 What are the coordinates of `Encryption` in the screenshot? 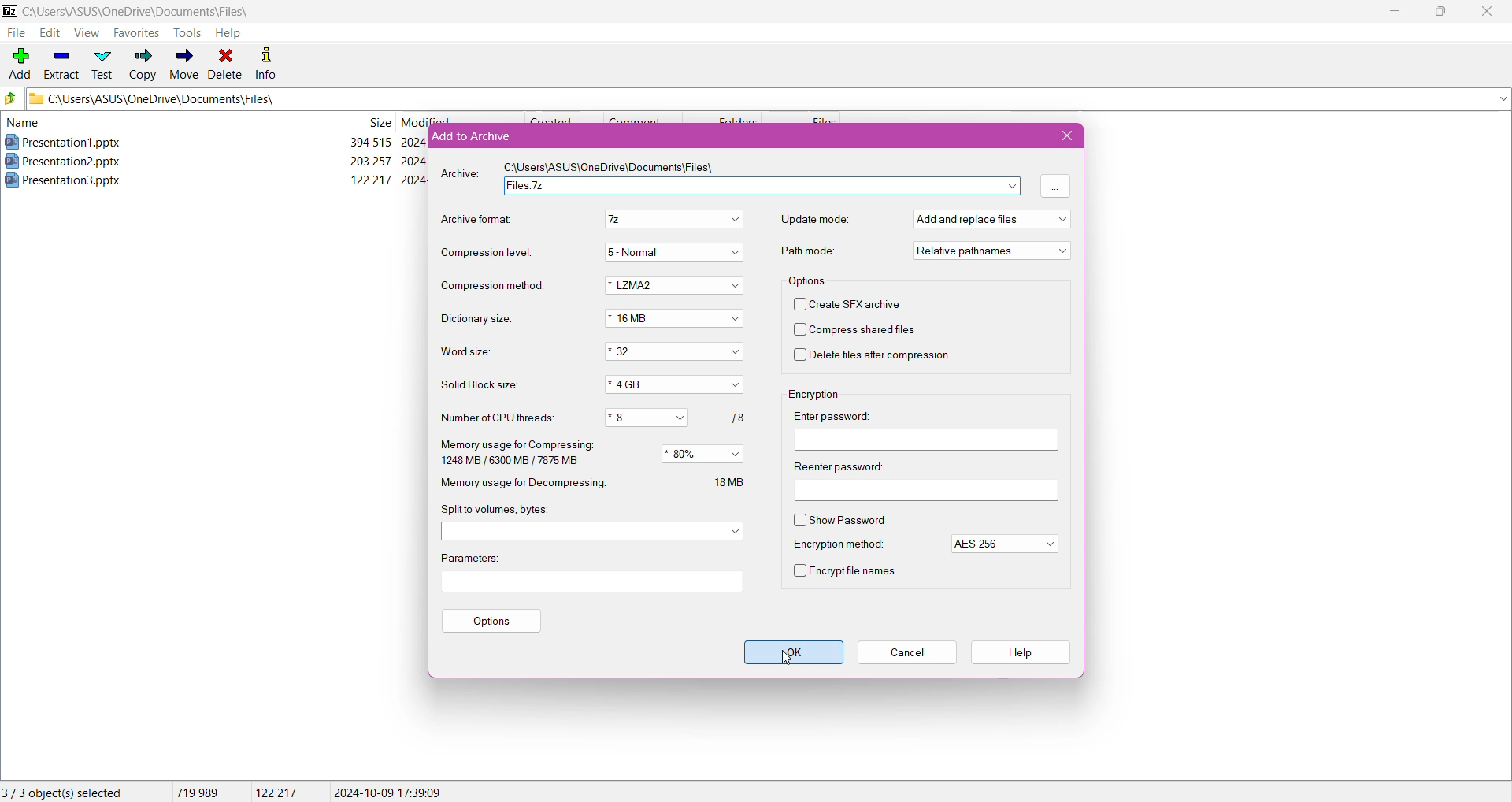 It's located at (814, 393).